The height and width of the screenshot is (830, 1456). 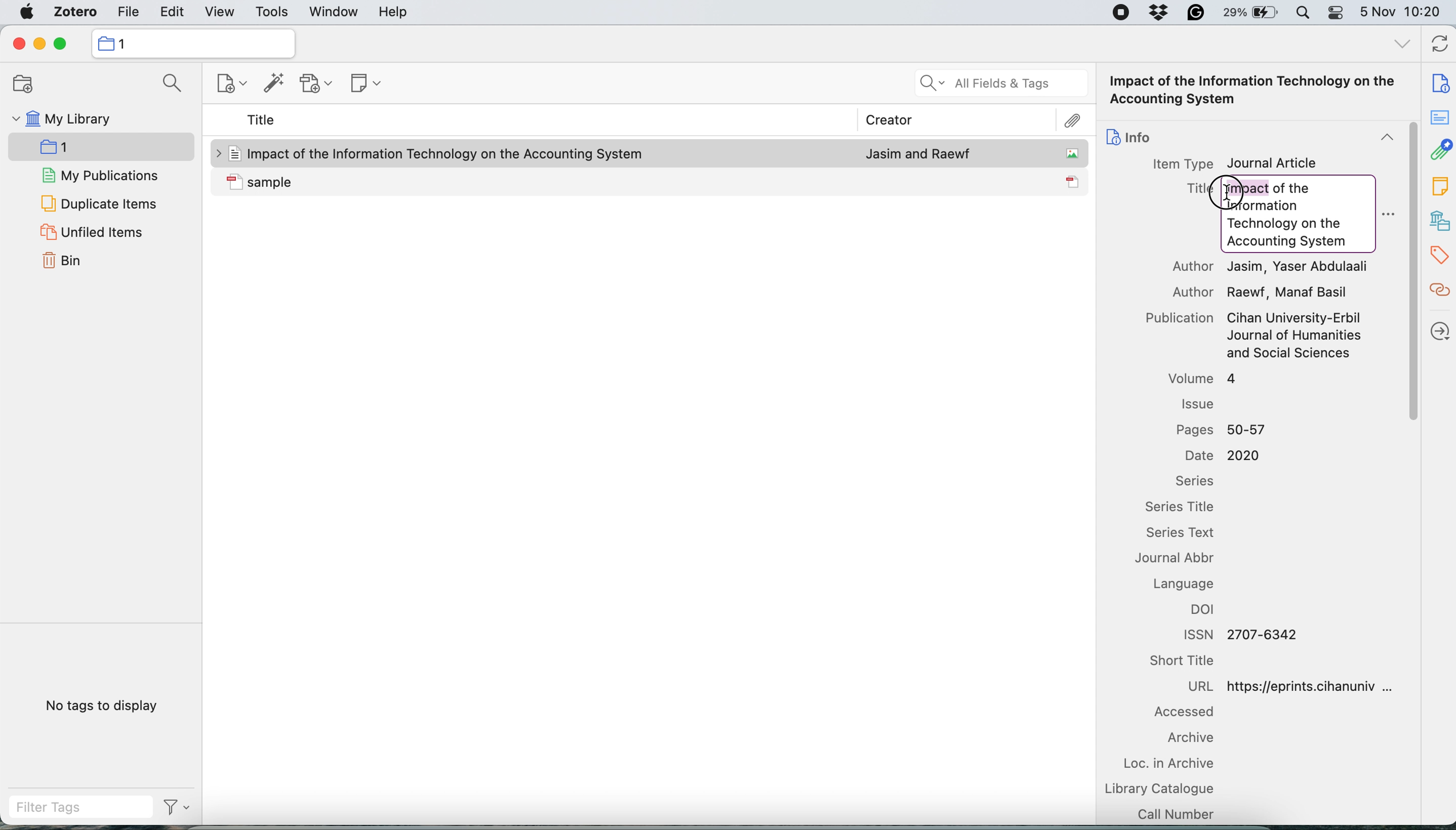 What do you see at coordinates (1252, 13) in the screenshot?
I see `battery` at bounding box center [1252, 13].